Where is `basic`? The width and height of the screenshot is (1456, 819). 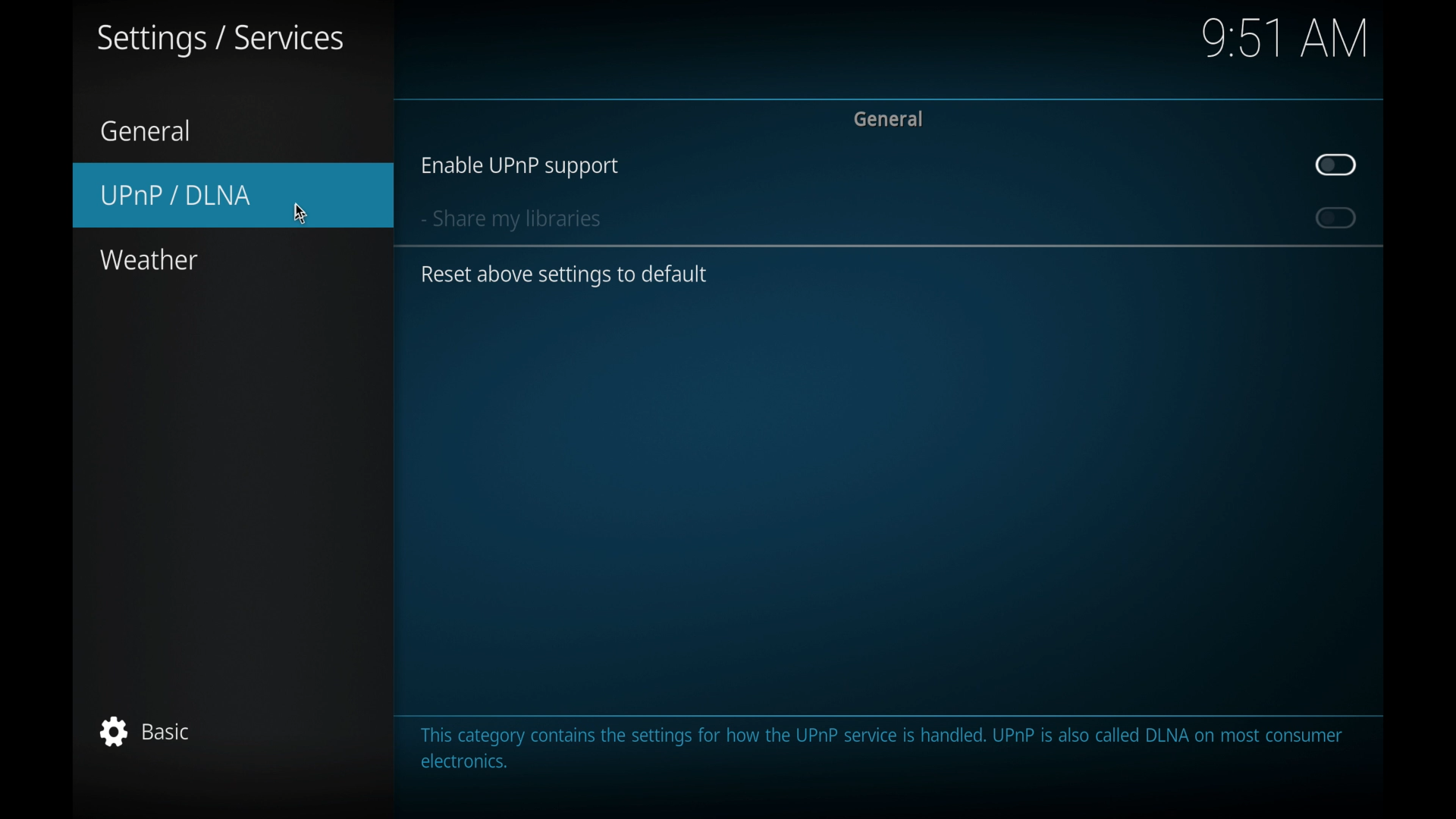 basic is located at coordinates (141, 731).